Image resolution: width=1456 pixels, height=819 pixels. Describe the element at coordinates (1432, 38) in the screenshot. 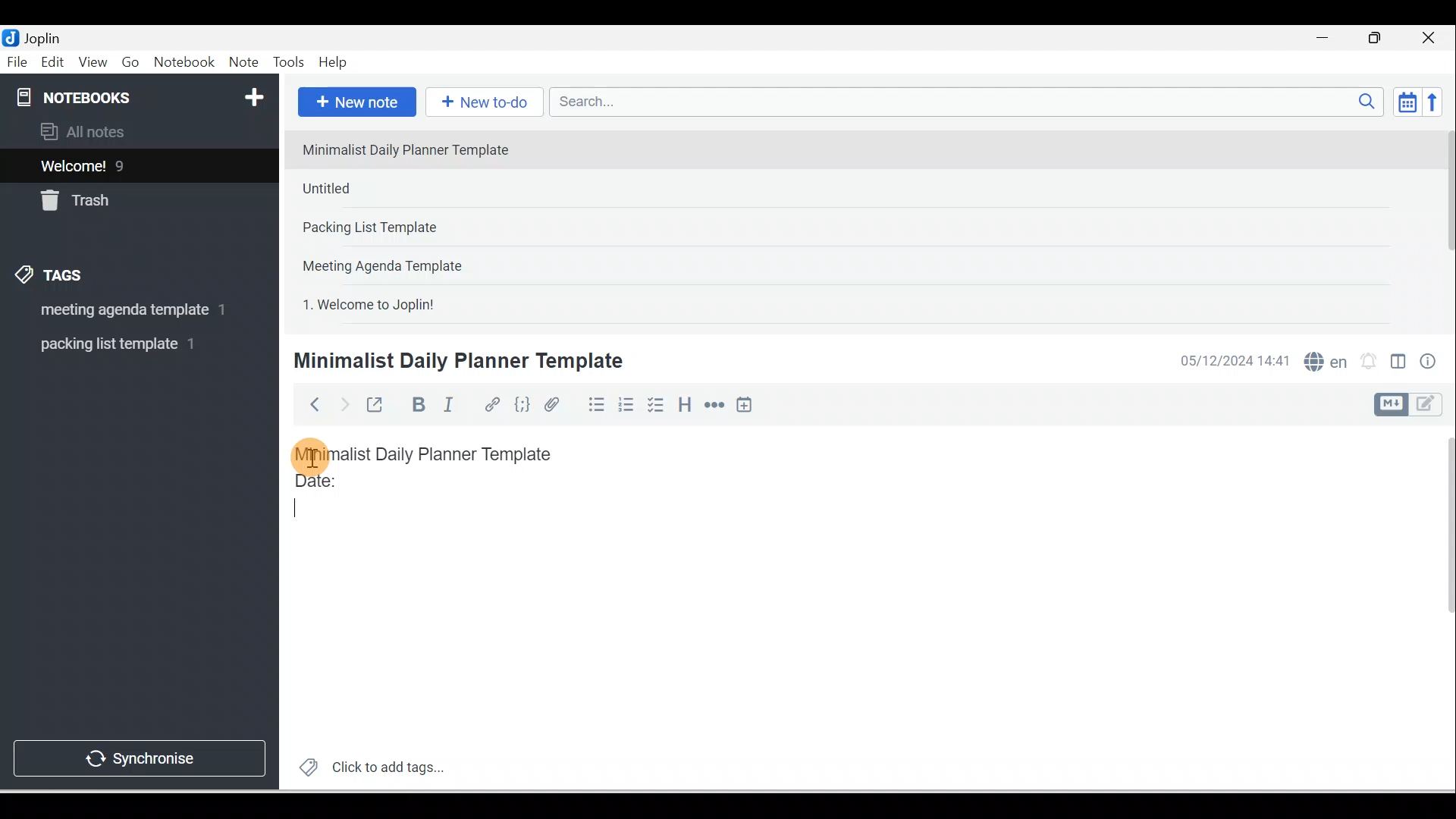

I see `Close` at that location.